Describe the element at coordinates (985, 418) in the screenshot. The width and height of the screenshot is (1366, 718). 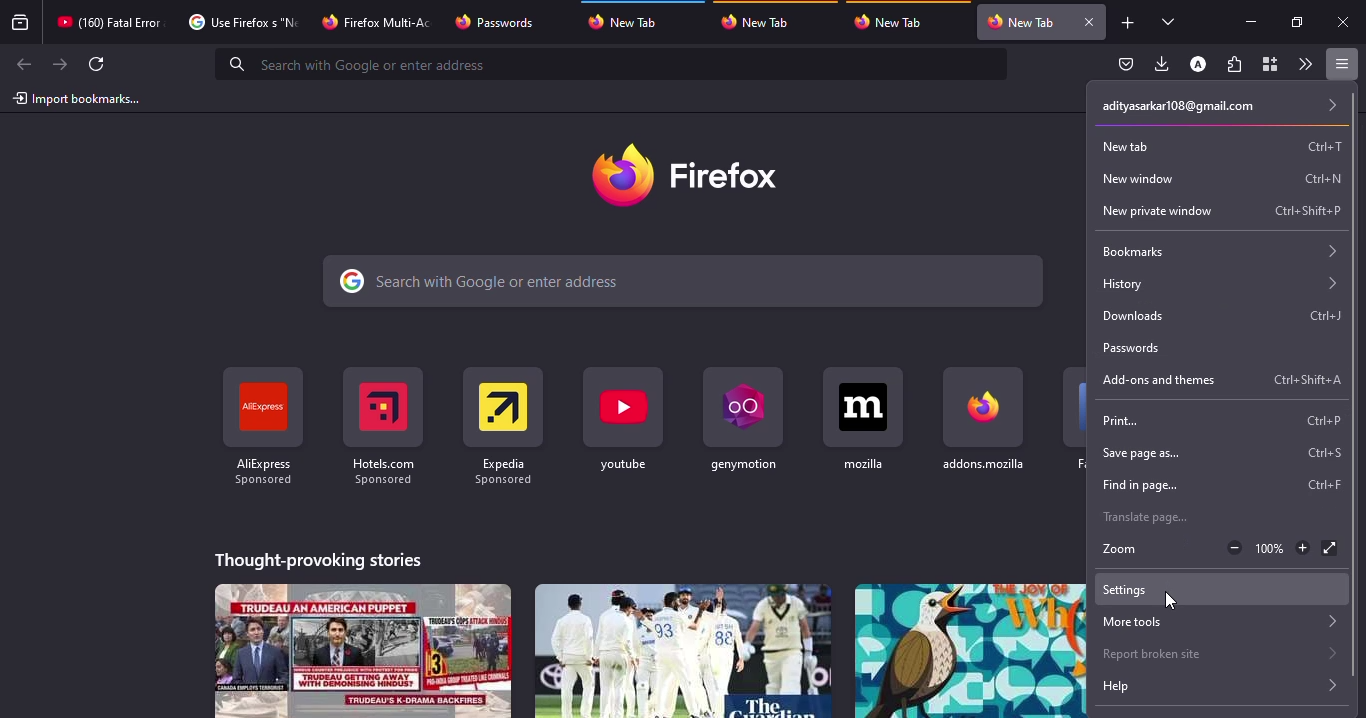
I see `shortcut` at that location.